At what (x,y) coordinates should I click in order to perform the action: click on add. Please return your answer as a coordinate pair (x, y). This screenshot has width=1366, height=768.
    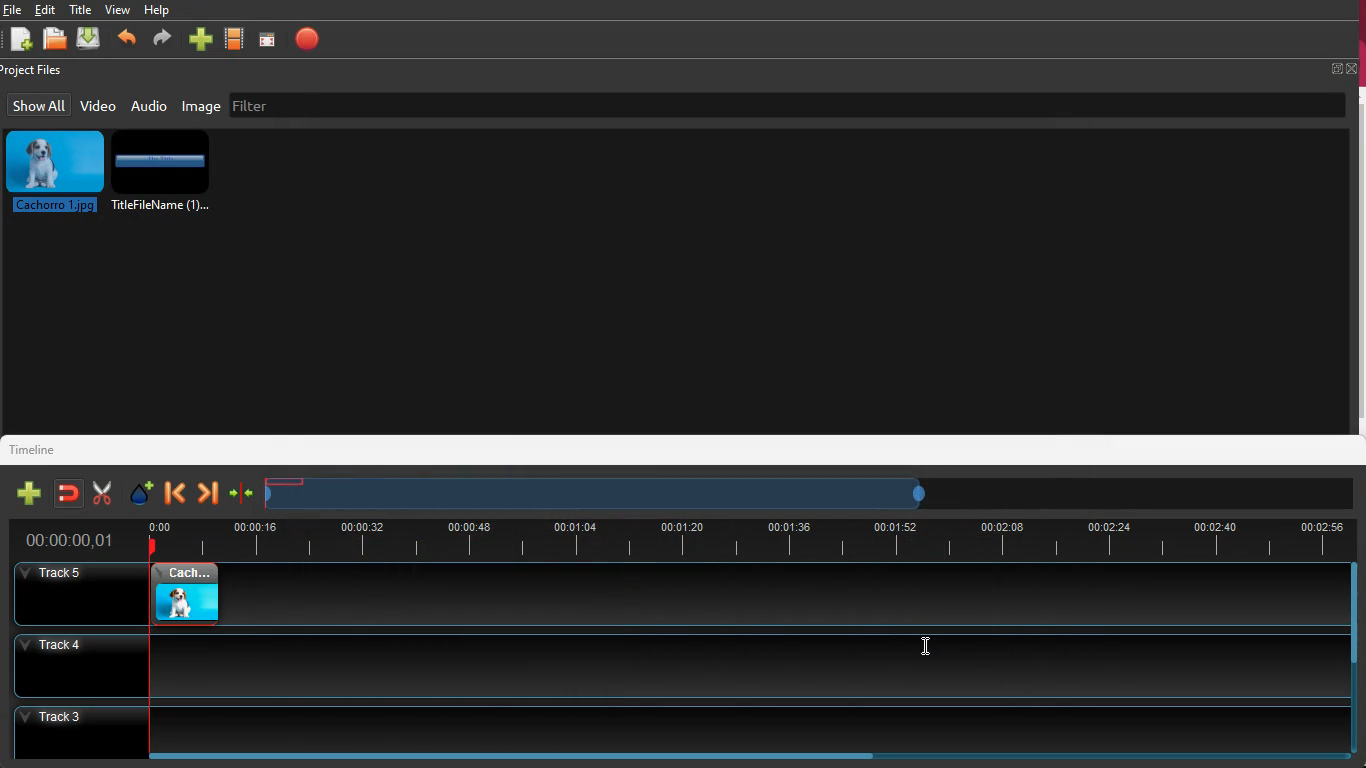
    Looking at the image, I should click on (25, 494).